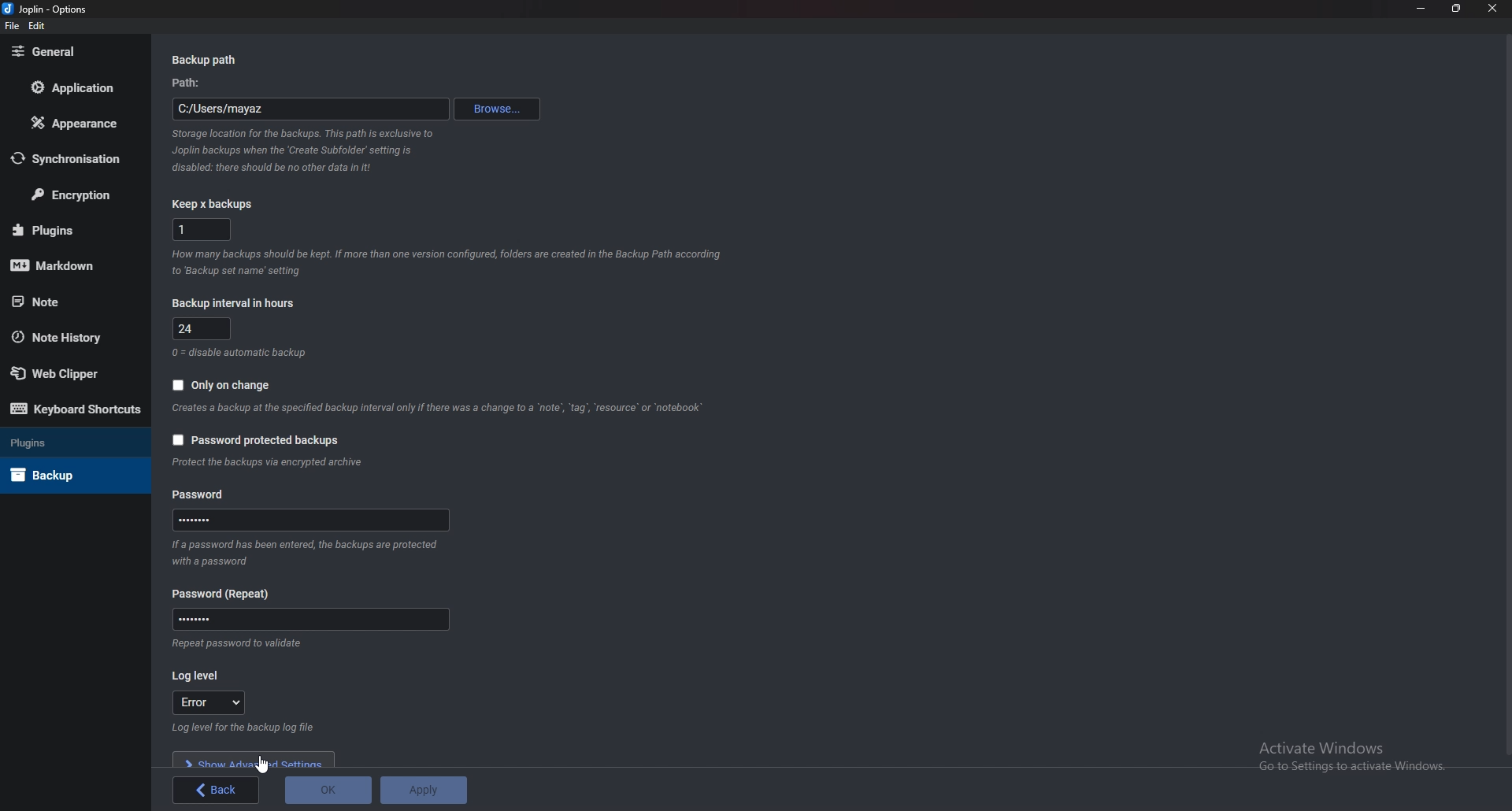 The image size is (1512, 811). I want to click on path, so click(194, 84).